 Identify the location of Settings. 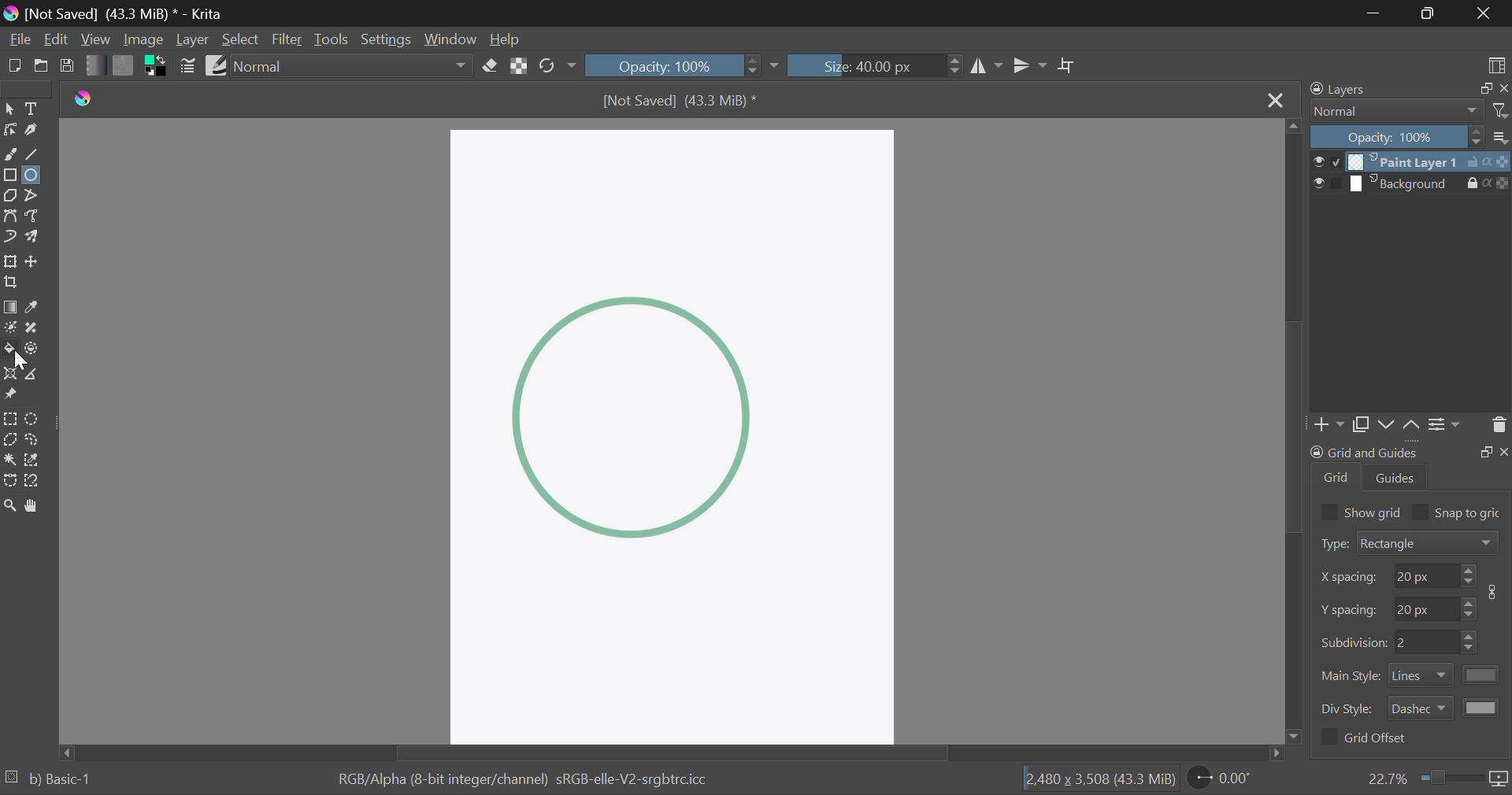
(384, 39).